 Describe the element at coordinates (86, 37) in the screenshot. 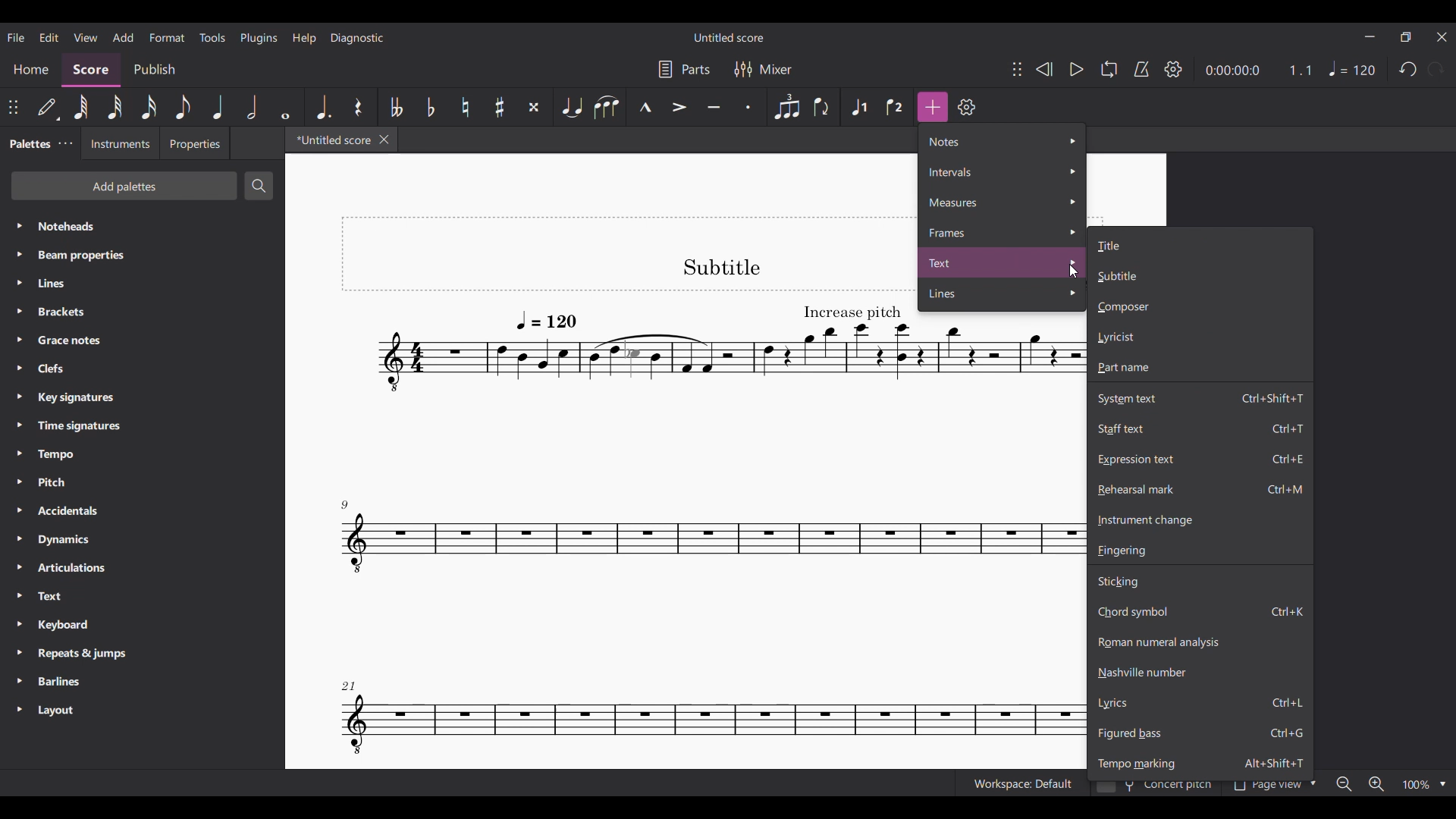

I see `View menu ` at that location.